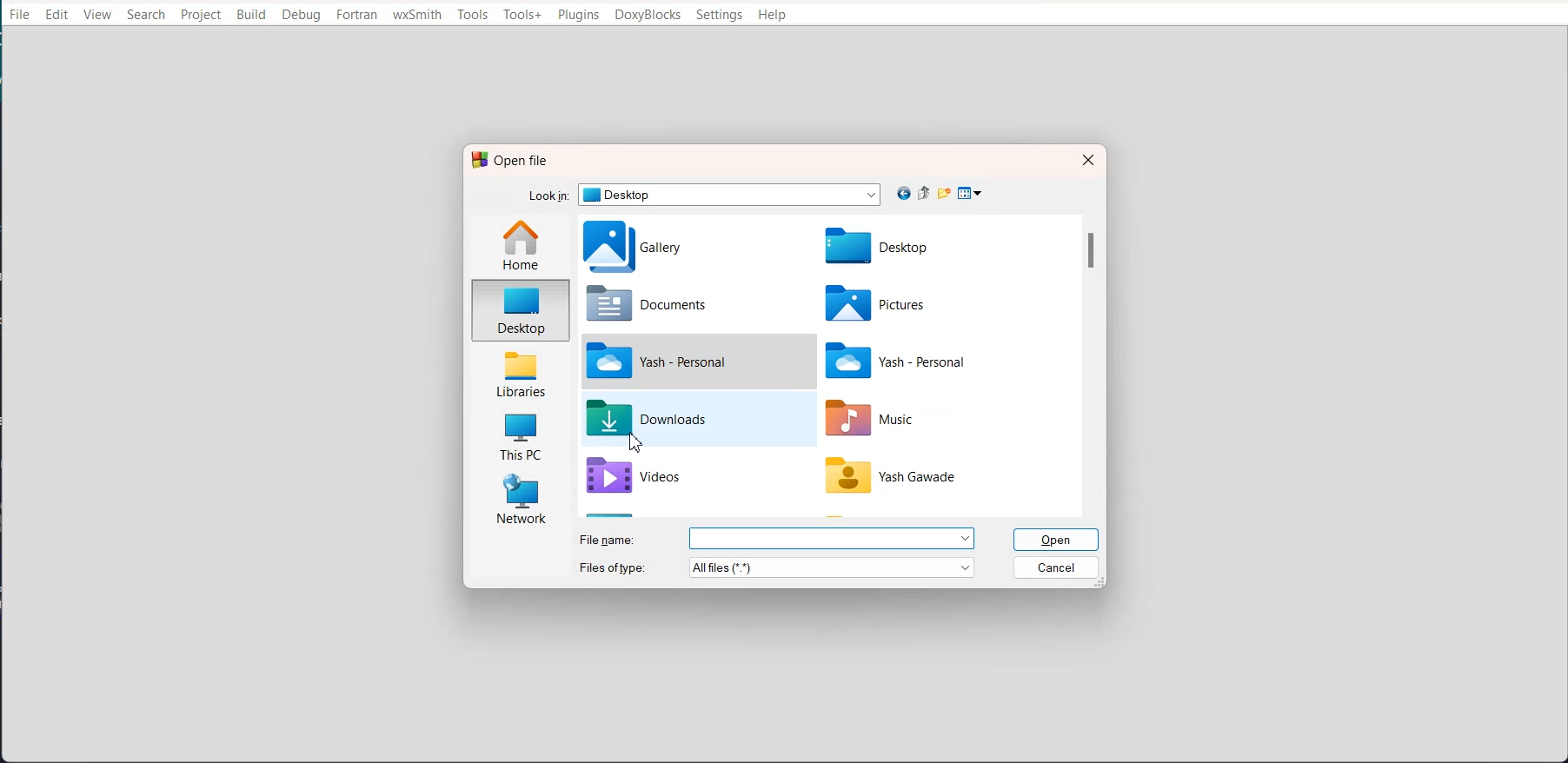 The height and width of the screenshot is (763, 1568). I want to click on Videos, so click(687, 481).